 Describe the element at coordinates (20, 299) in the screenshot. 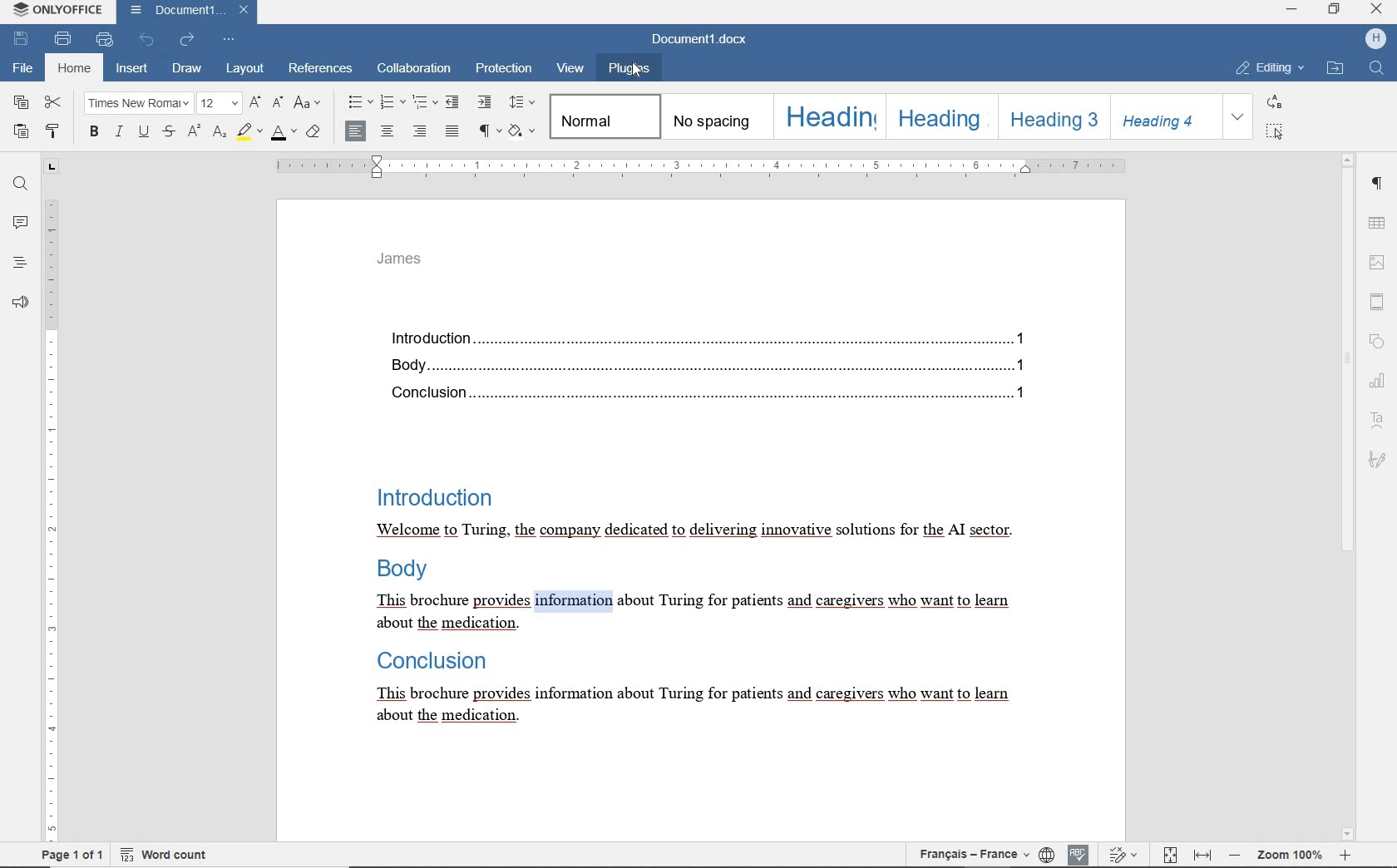

I see `FEEDBACK & SUPPORT` at that location.